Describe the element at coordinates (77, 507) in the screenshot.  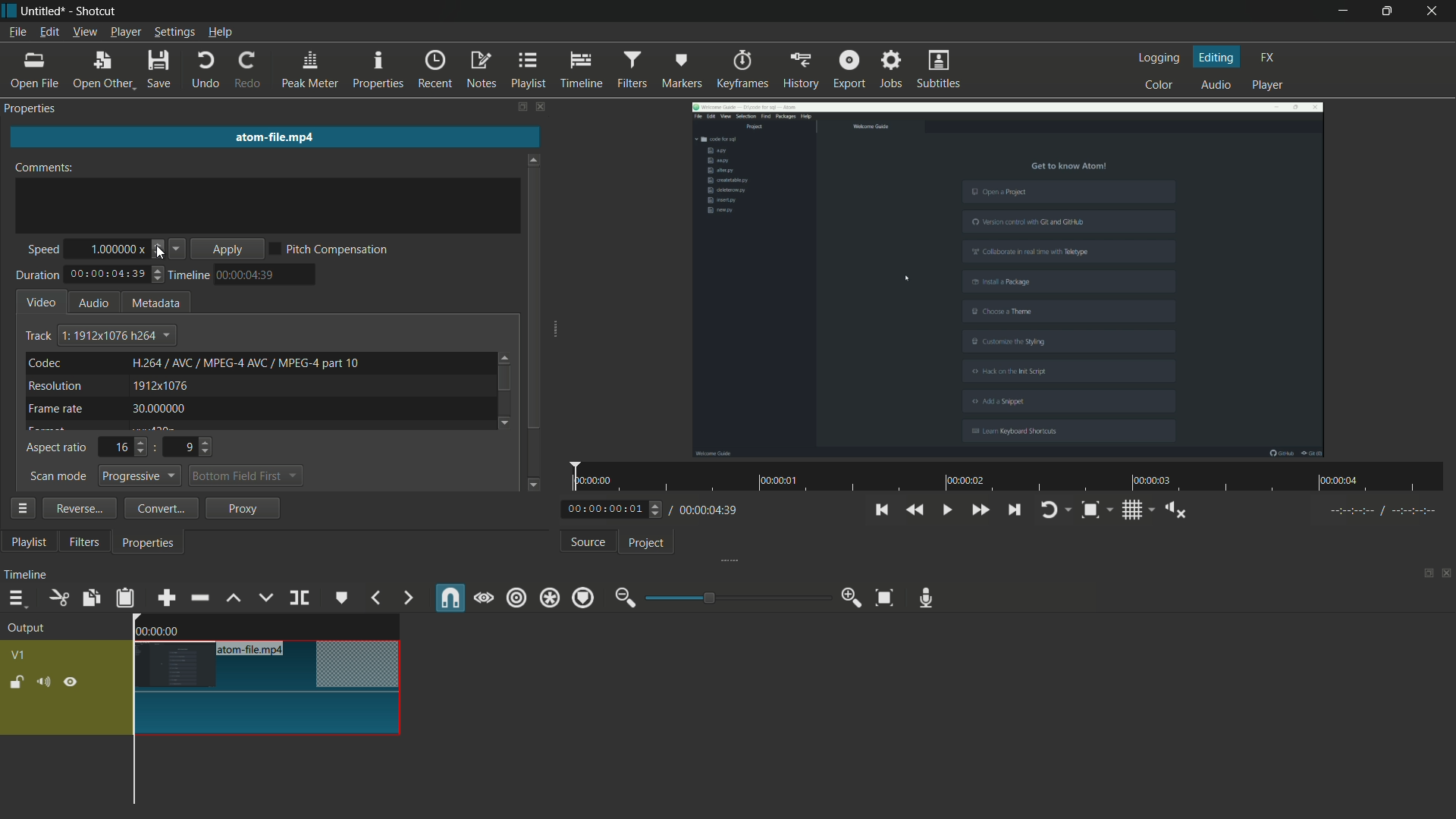
I see `reverse` at that location.